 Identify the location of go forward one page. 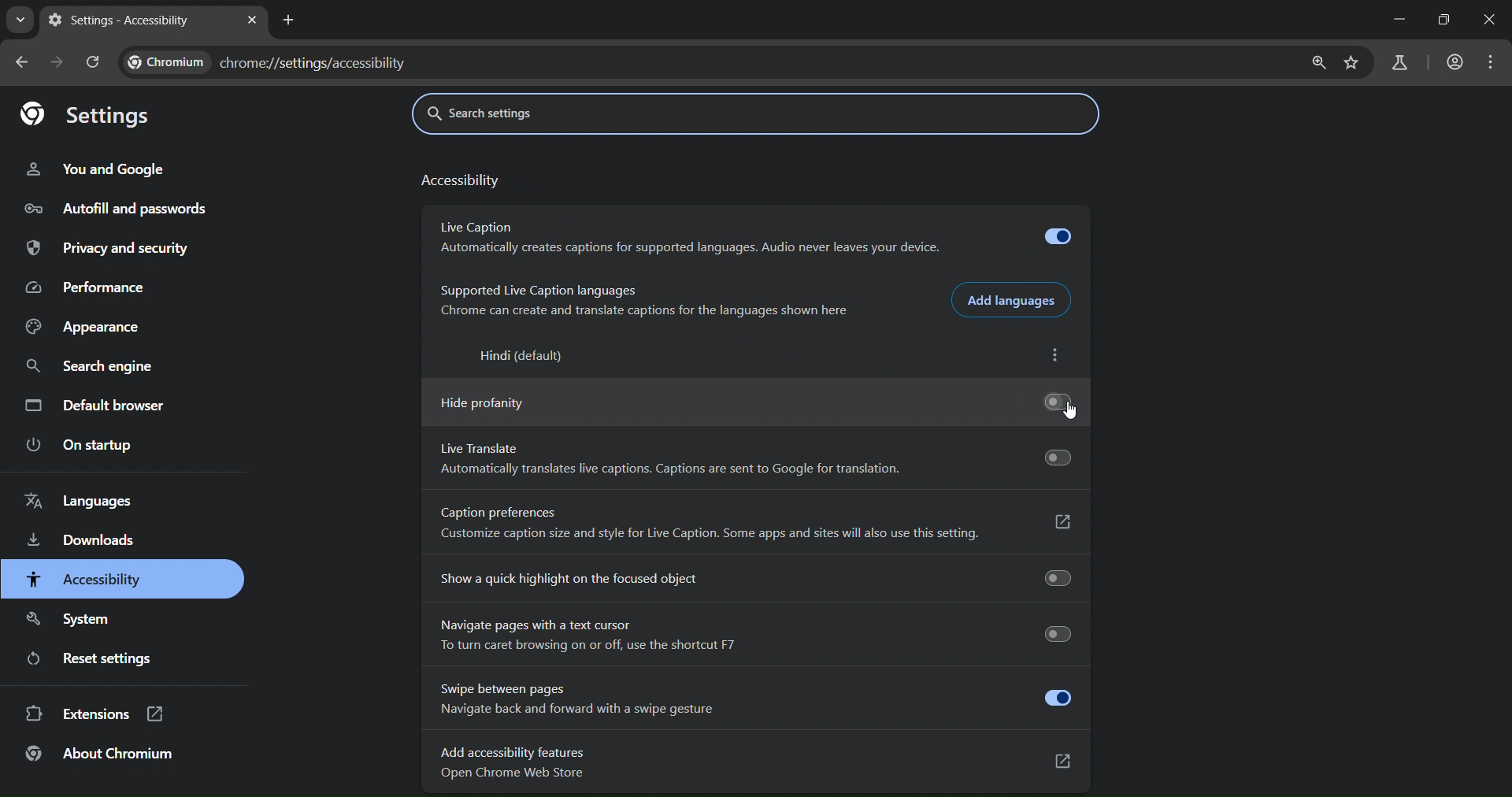
(56, 62).